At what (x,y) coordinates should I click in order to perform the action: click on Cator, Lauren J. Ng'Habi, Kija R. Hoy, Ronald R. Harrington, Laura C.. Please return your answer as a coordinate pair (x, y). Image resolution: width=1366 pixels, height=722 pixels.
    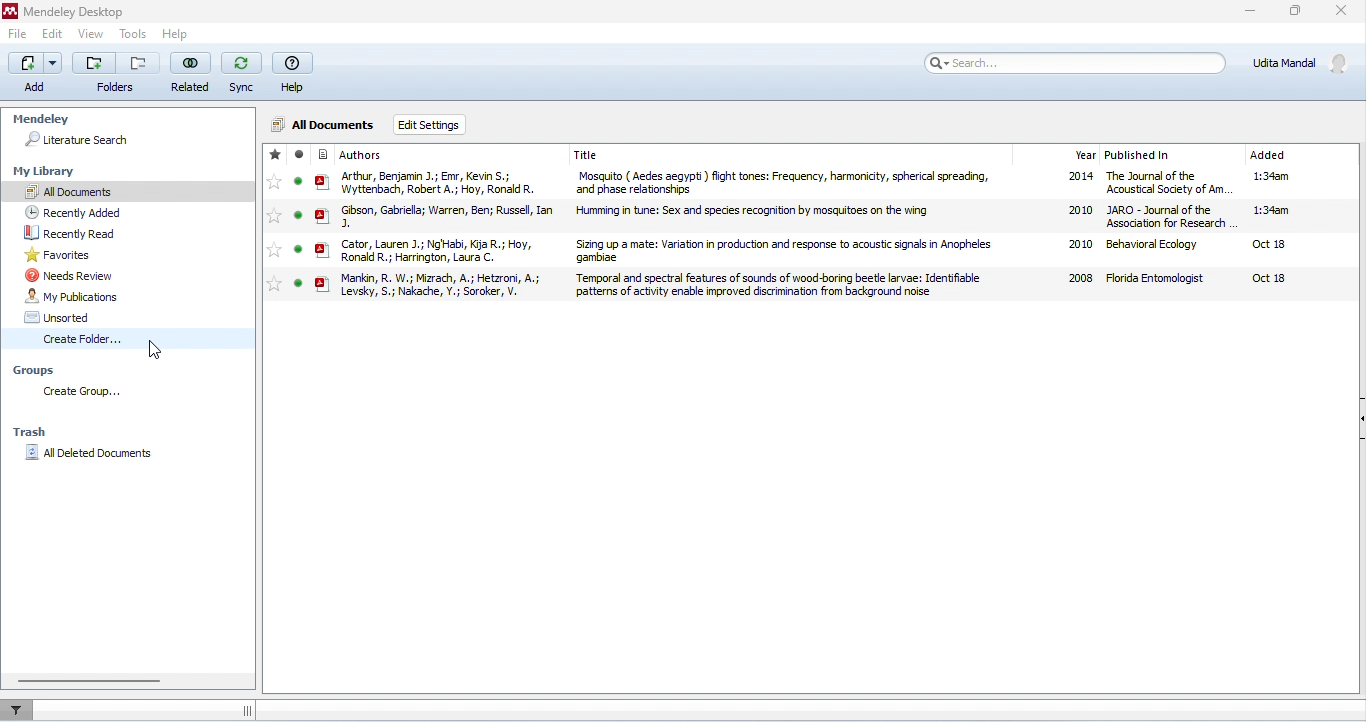
    Looking at the image, I should click on (439, 251).